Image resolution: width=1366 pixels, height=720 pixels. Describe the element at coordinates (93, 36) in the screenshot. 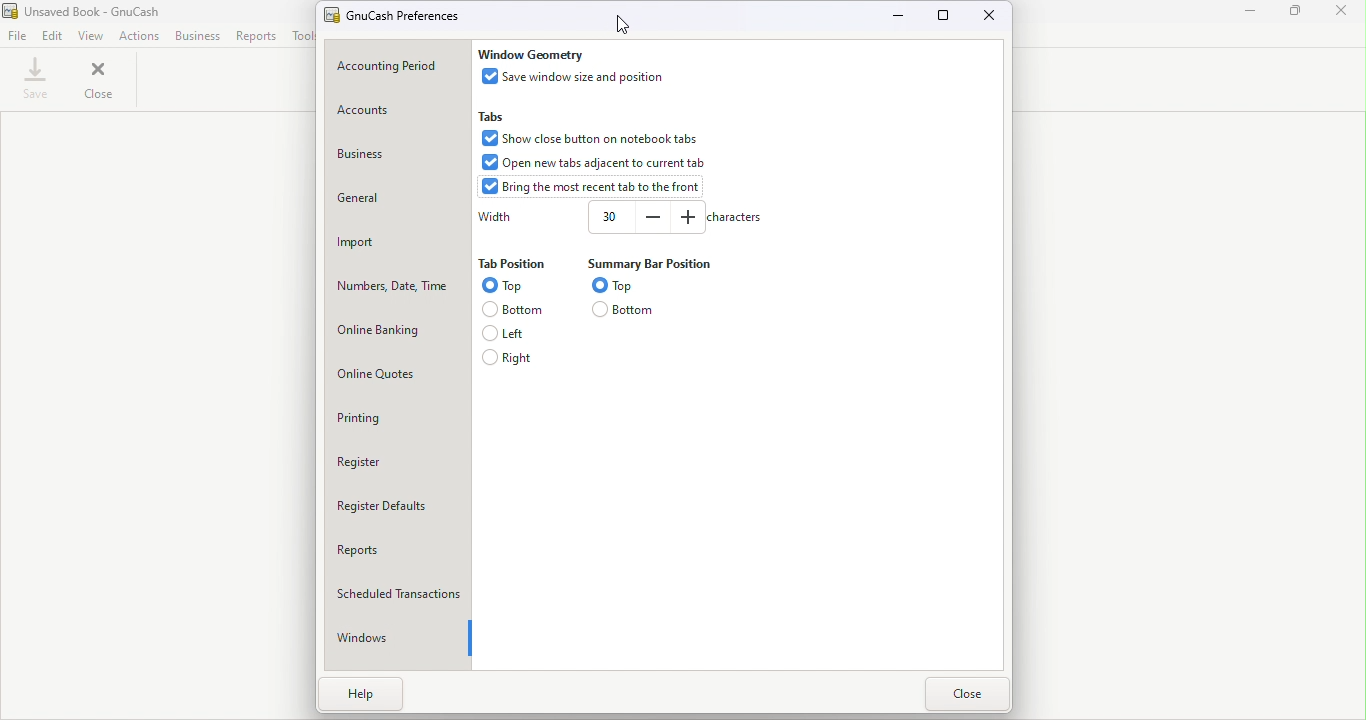

I see `View` at that location.